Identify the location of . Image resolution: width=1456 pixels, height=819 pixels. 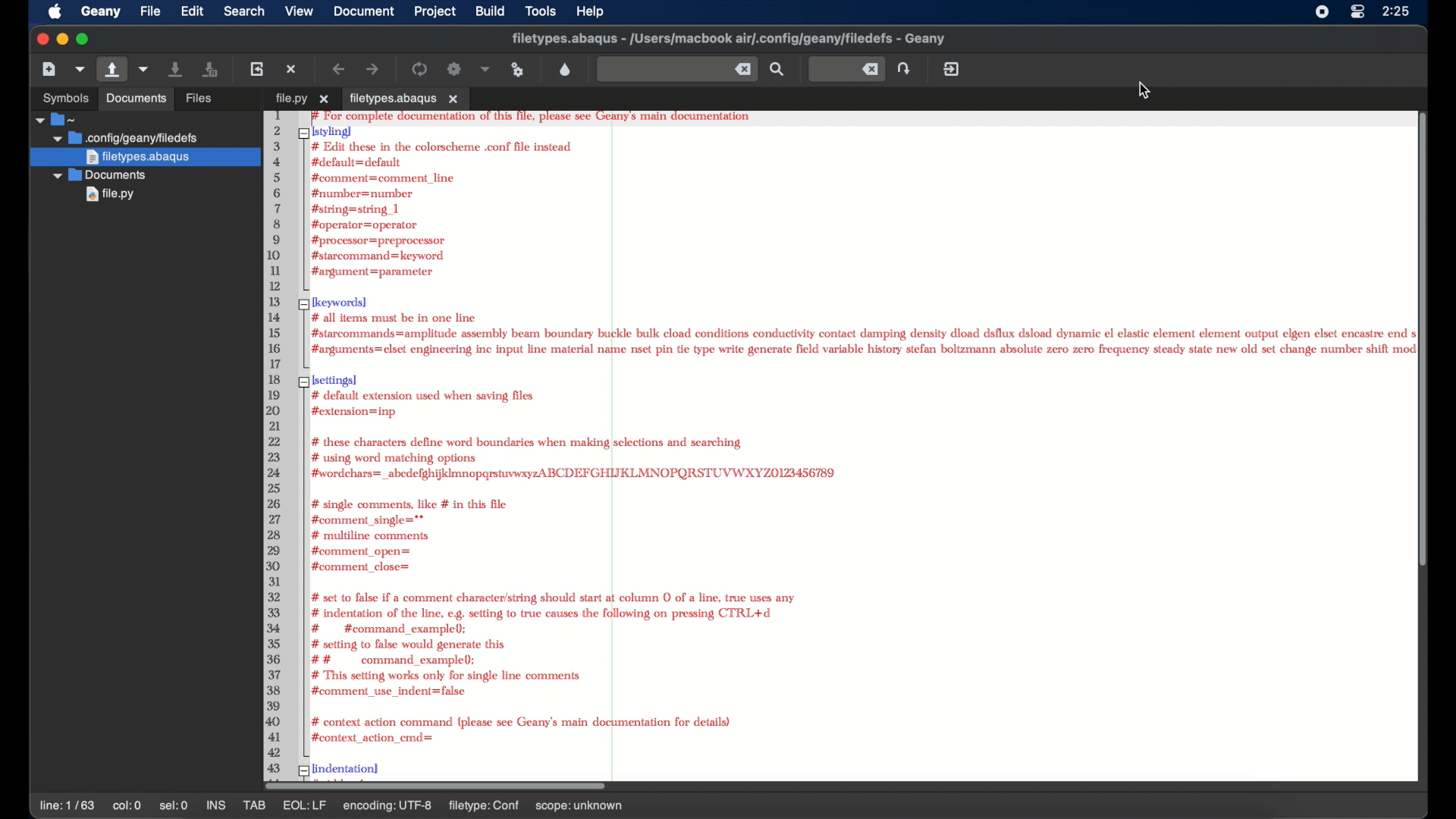
(299, 99).